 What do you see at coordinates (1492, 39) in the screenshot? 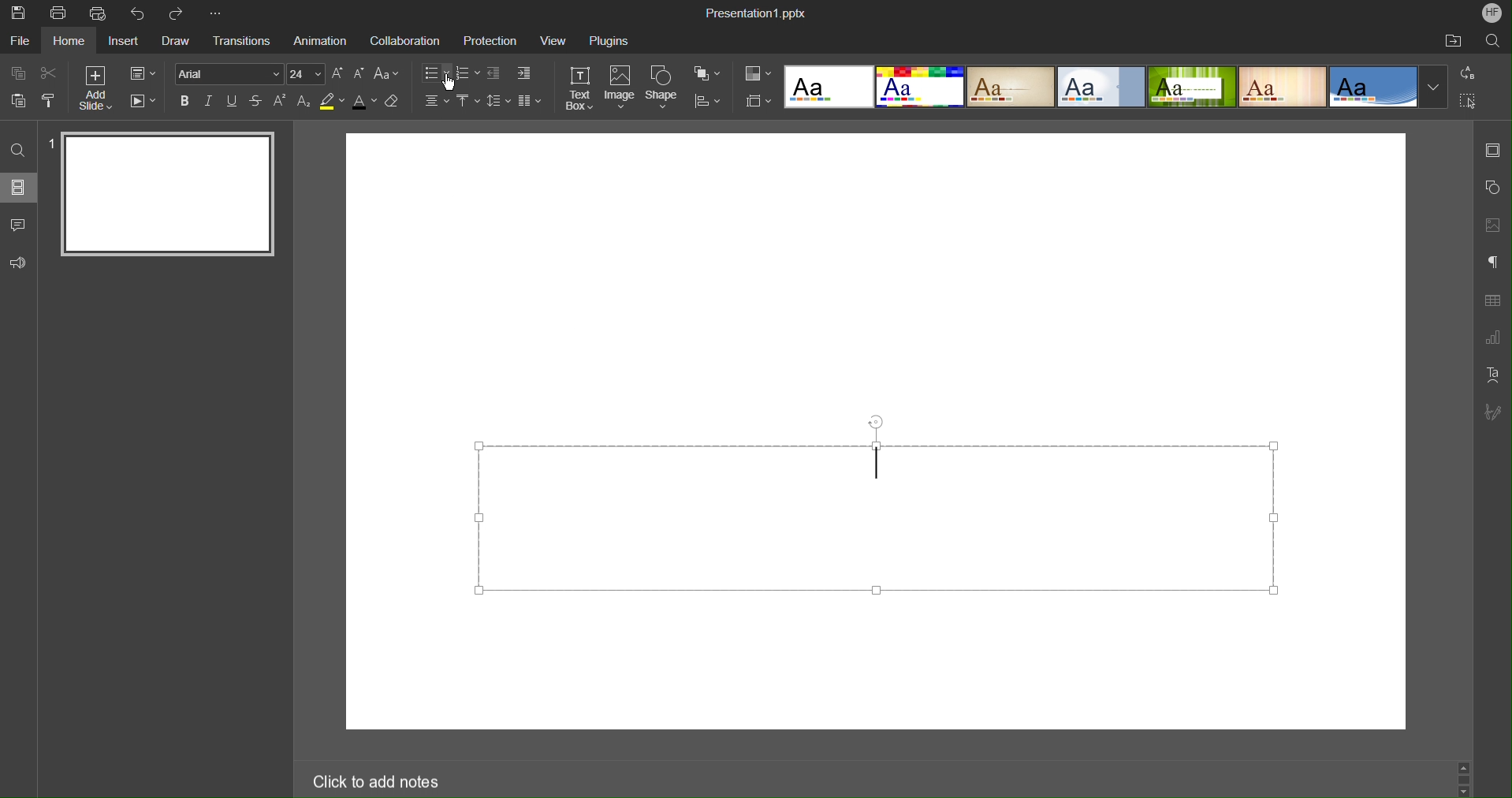
I see `Search` at bounding box center [1492, 39].